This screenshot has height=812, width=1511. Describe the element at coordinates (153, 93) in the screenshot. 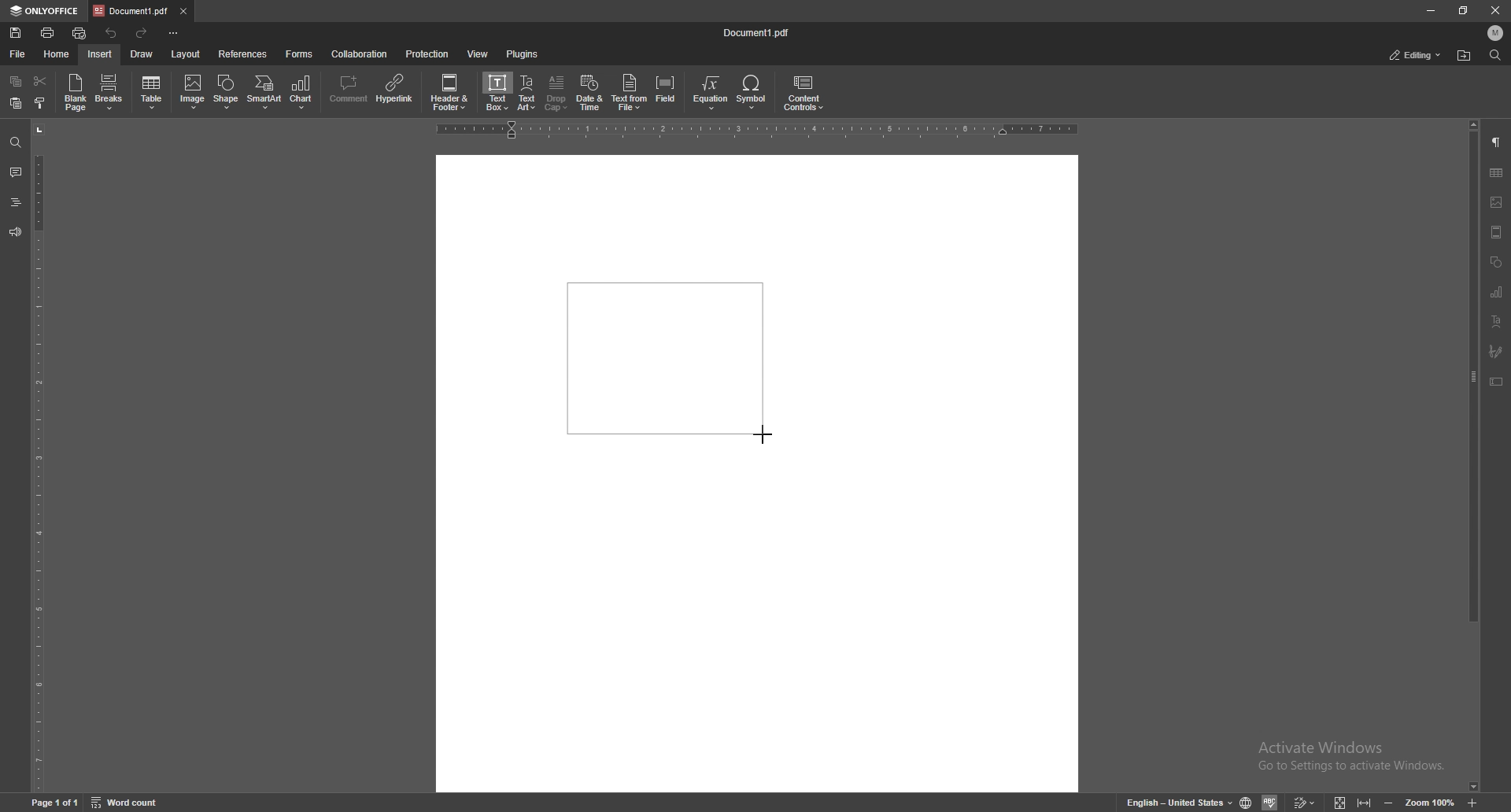

I see `table` at that location.